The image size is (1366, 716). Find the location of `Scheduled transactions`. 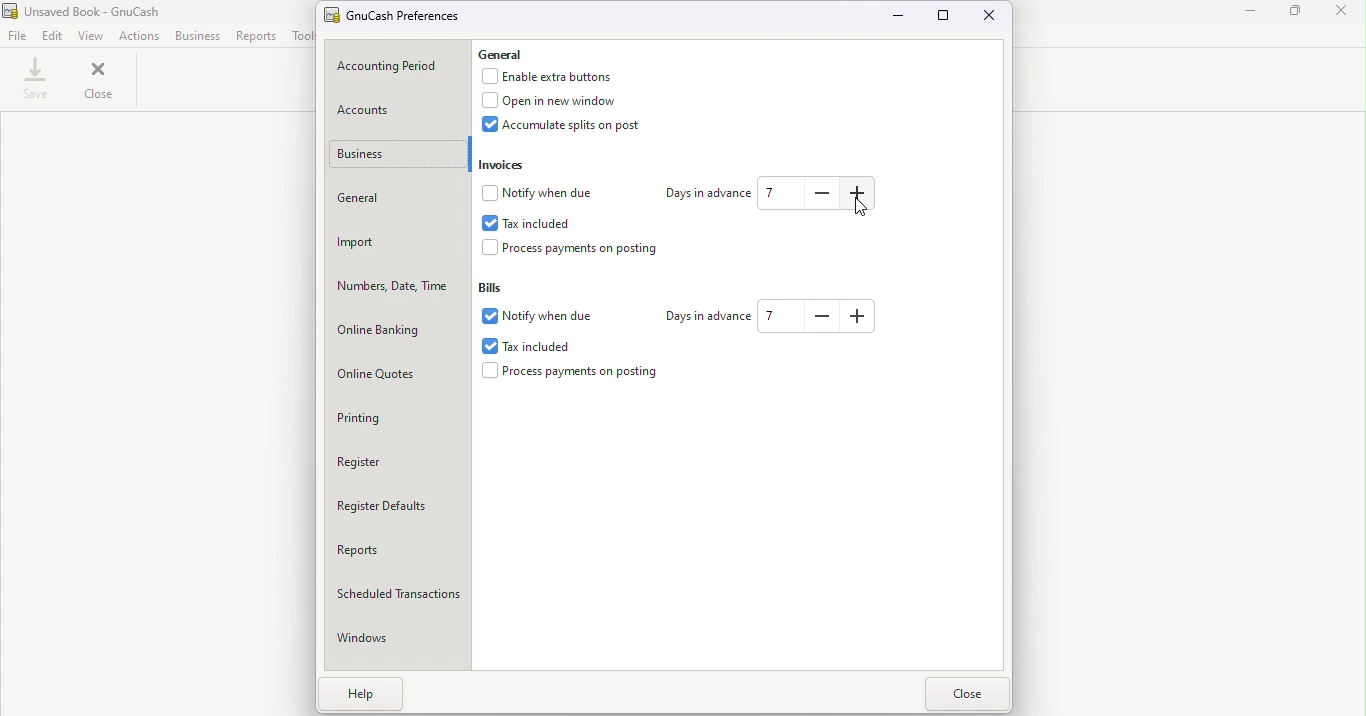

Scheduled transactions is located at coordinates (399, 598).